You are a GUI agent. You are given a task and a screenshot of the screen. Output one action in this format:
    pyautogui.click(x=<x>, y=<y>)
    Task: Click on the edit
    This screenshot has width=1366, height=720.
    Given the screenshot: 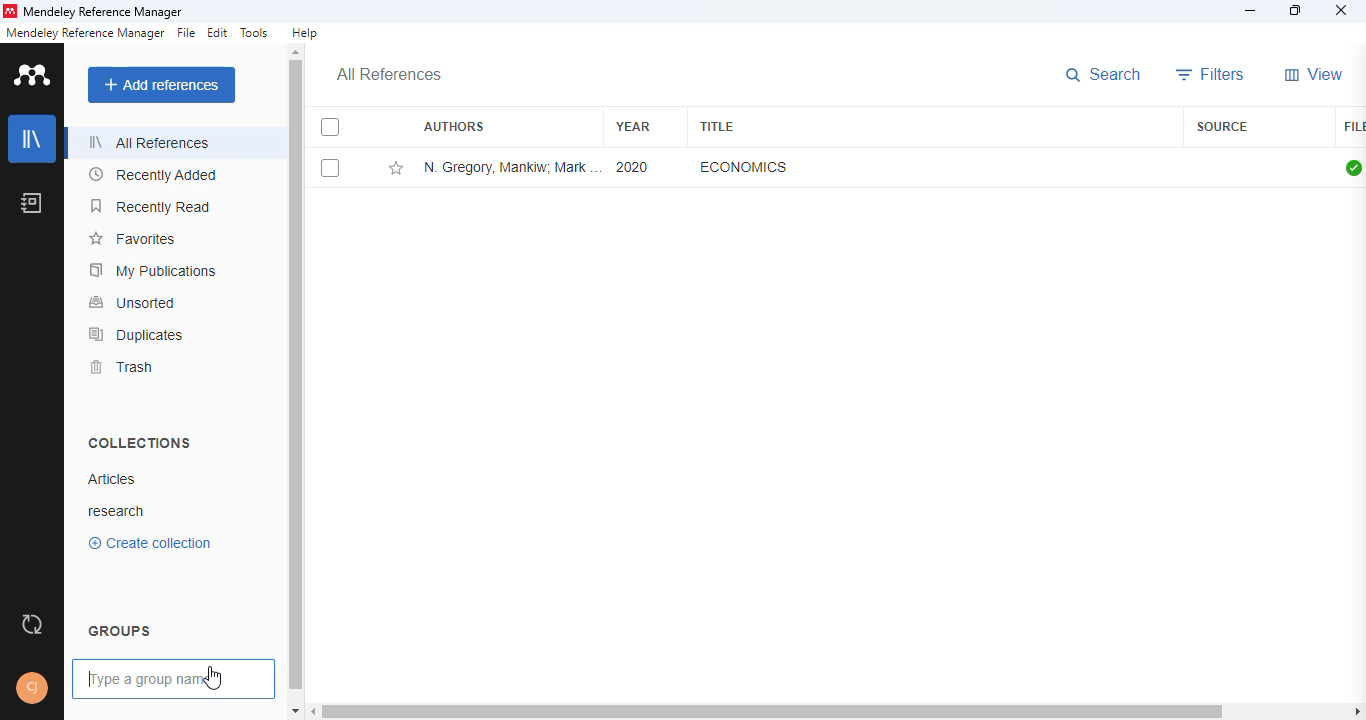 What is the action you would take?
    pyautogui.click(x=218, y=32)
    